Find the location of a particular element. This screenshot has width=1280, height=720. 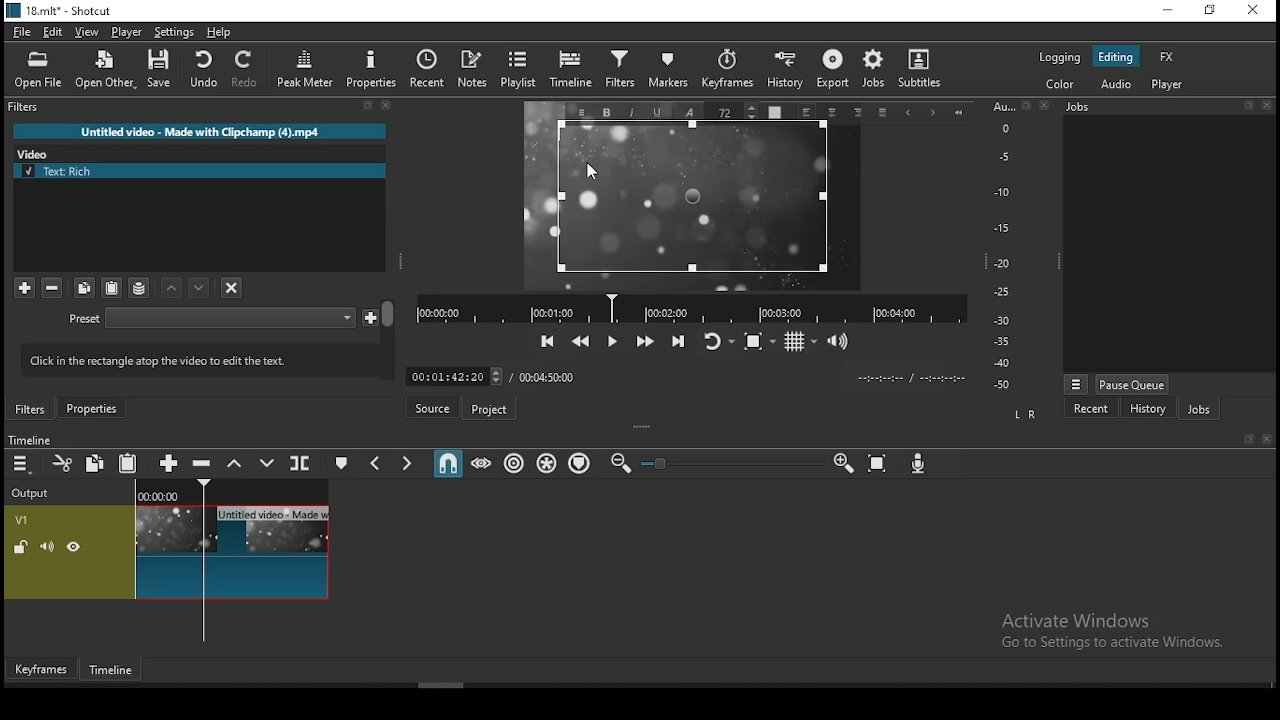

editing is located at coordinates (1117, 56).